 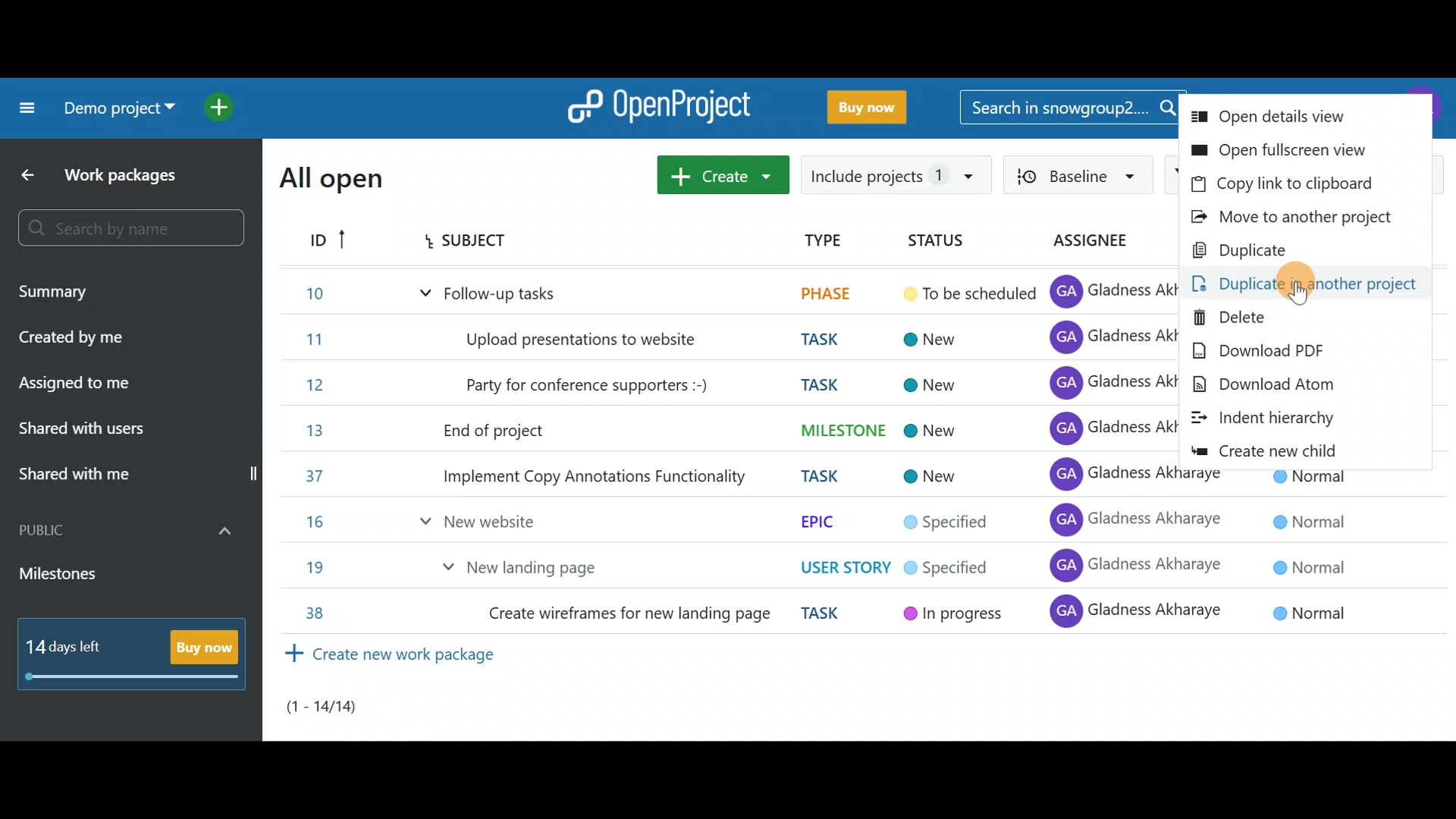 What do you see at coordinates (102, 337) in the screenshot?
I see `Created by me` at bounding box center [102, 337].